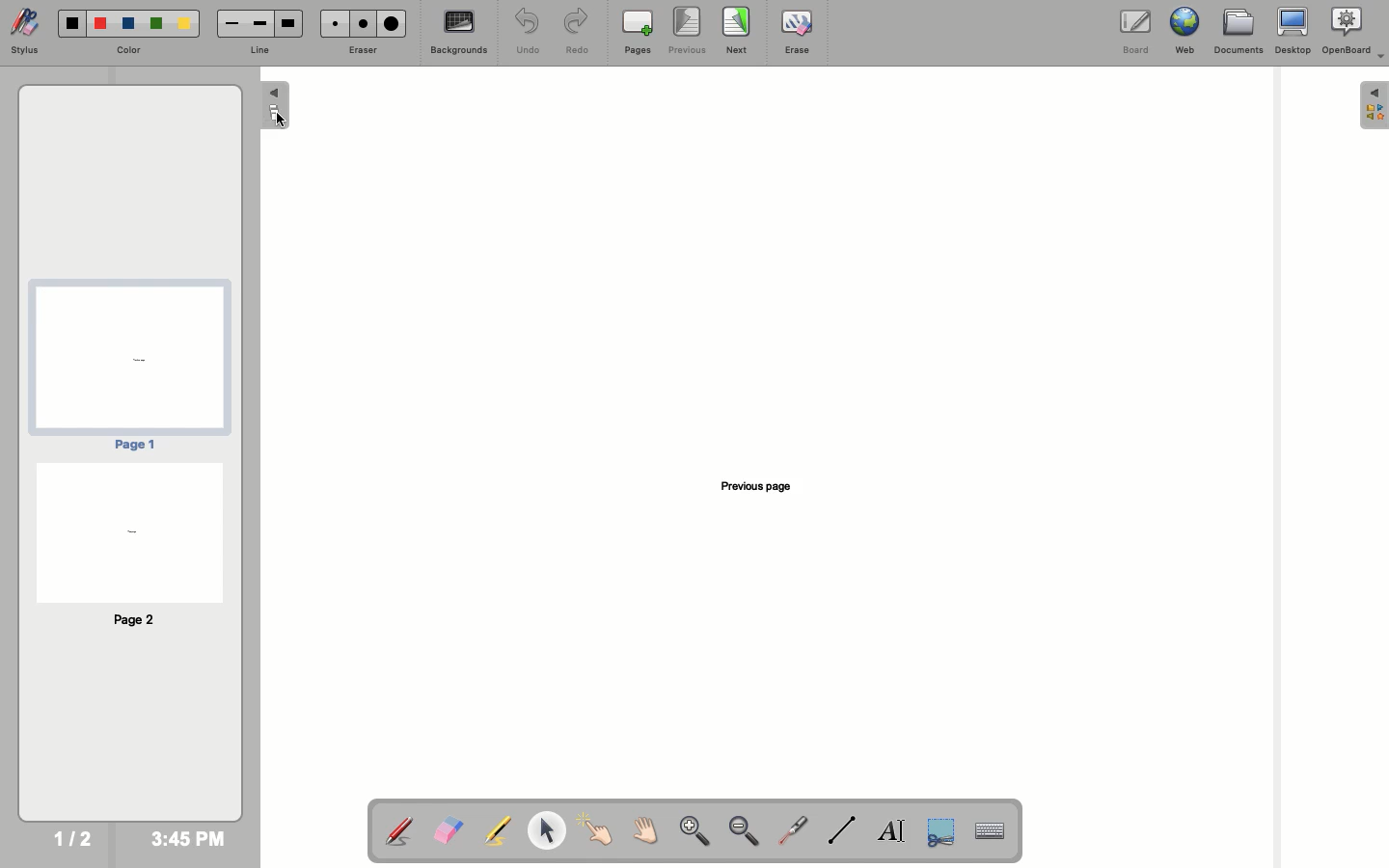 This screenshot has width=1389, height=868. What do you see at coordinates (529, 31) in the screenshot?
I see `Undo` at bounding box center [529, 31].